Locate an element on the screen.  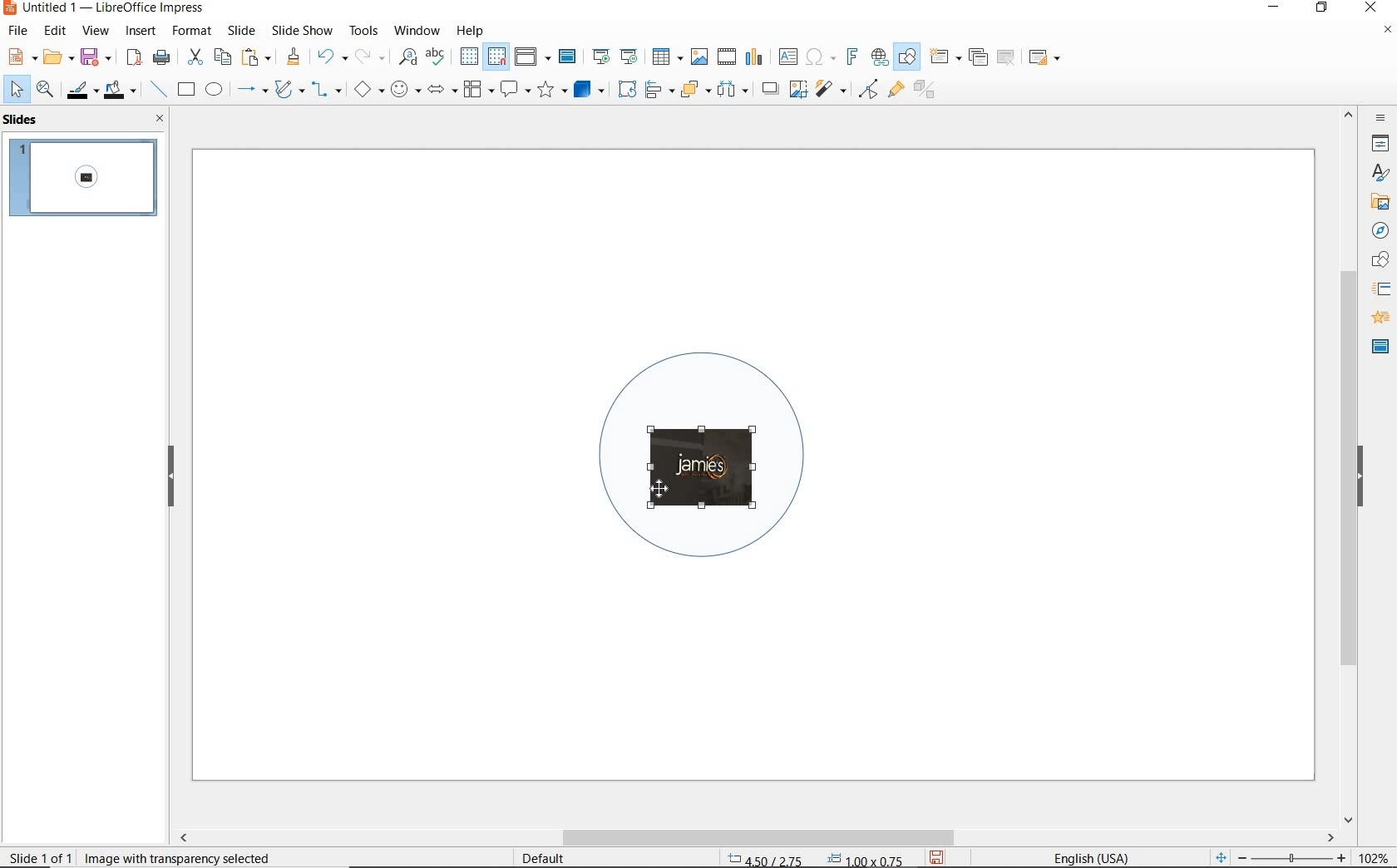
styles is located at coordinates (1380, 174).